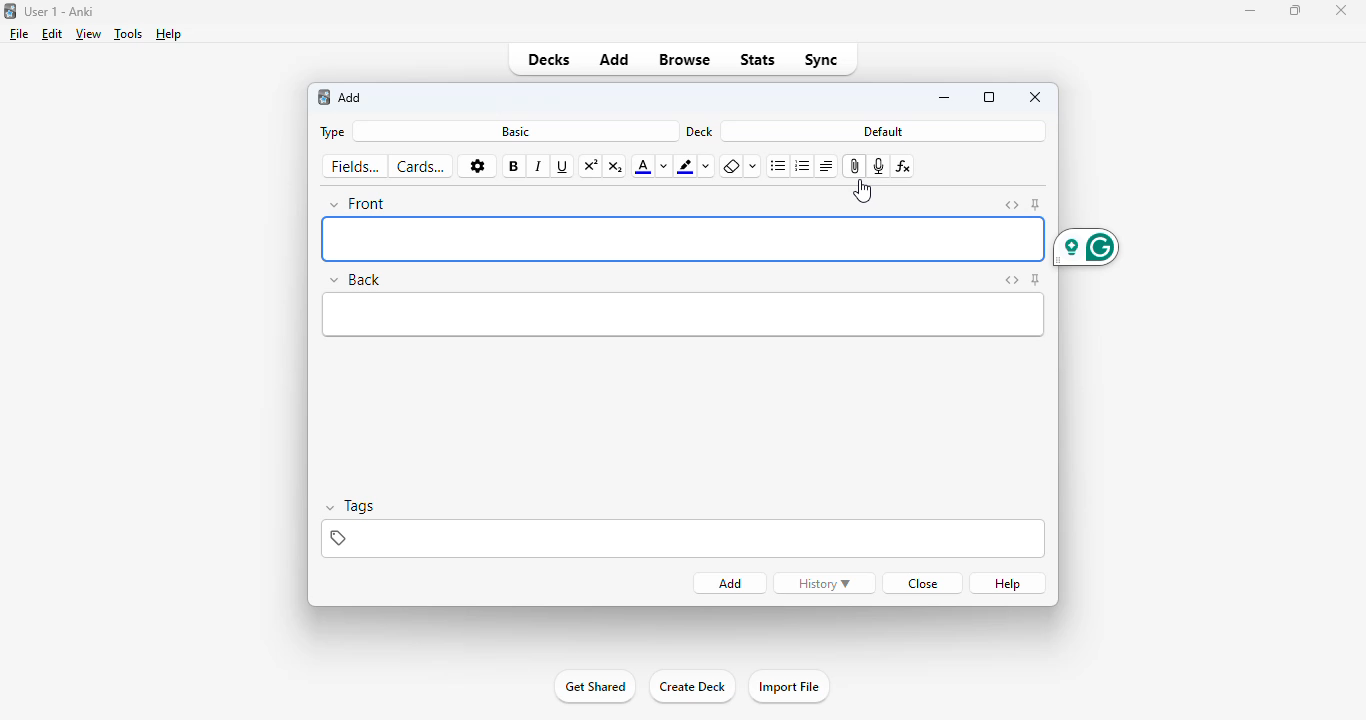 This screenshot has width=1366, height=720. Describe the element at coordinates (643, 166) in the screenshot. I see `text coloe` at that location.